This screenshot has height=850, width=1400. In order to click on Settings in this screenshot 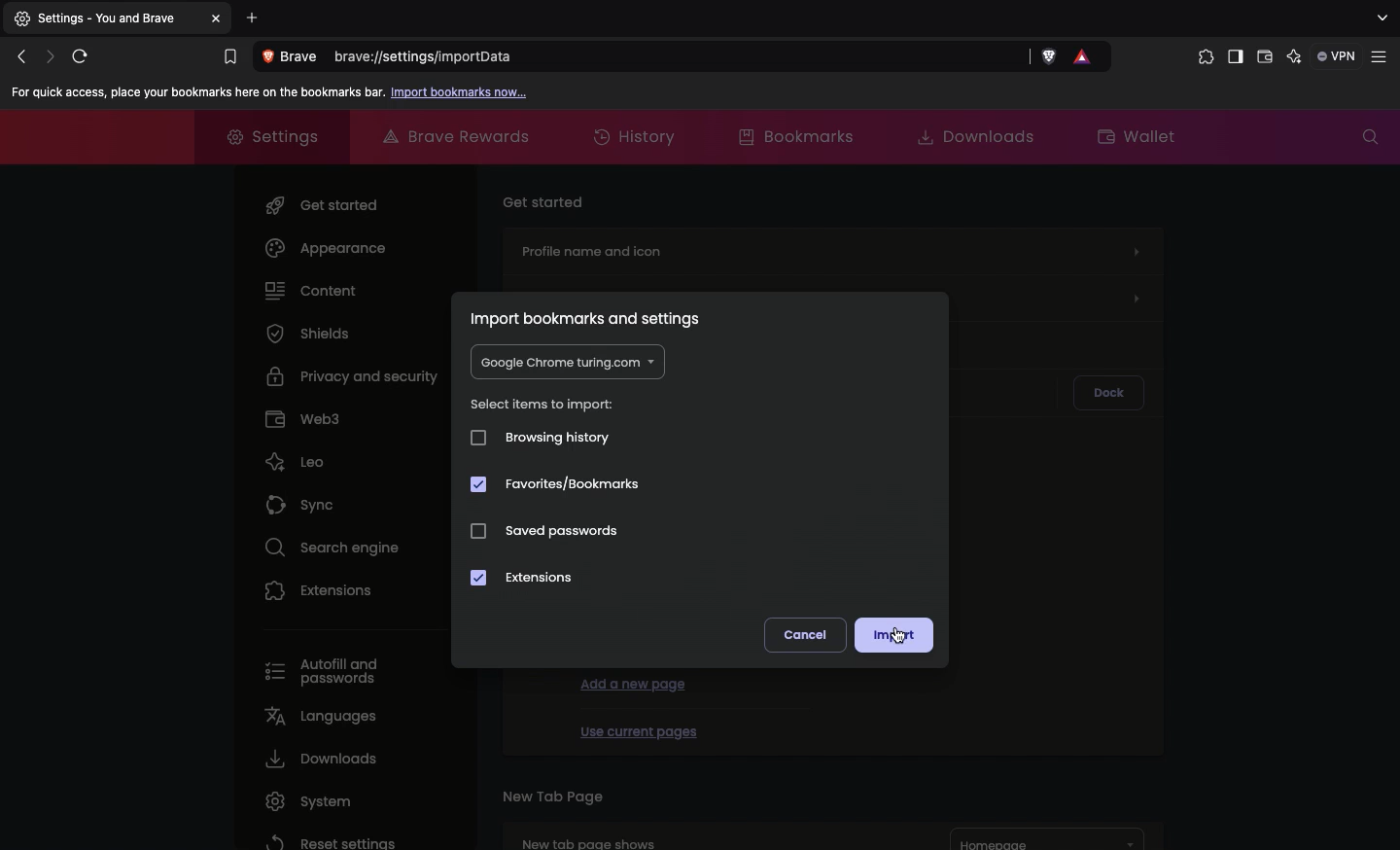, I will do `click(264, 134)`.